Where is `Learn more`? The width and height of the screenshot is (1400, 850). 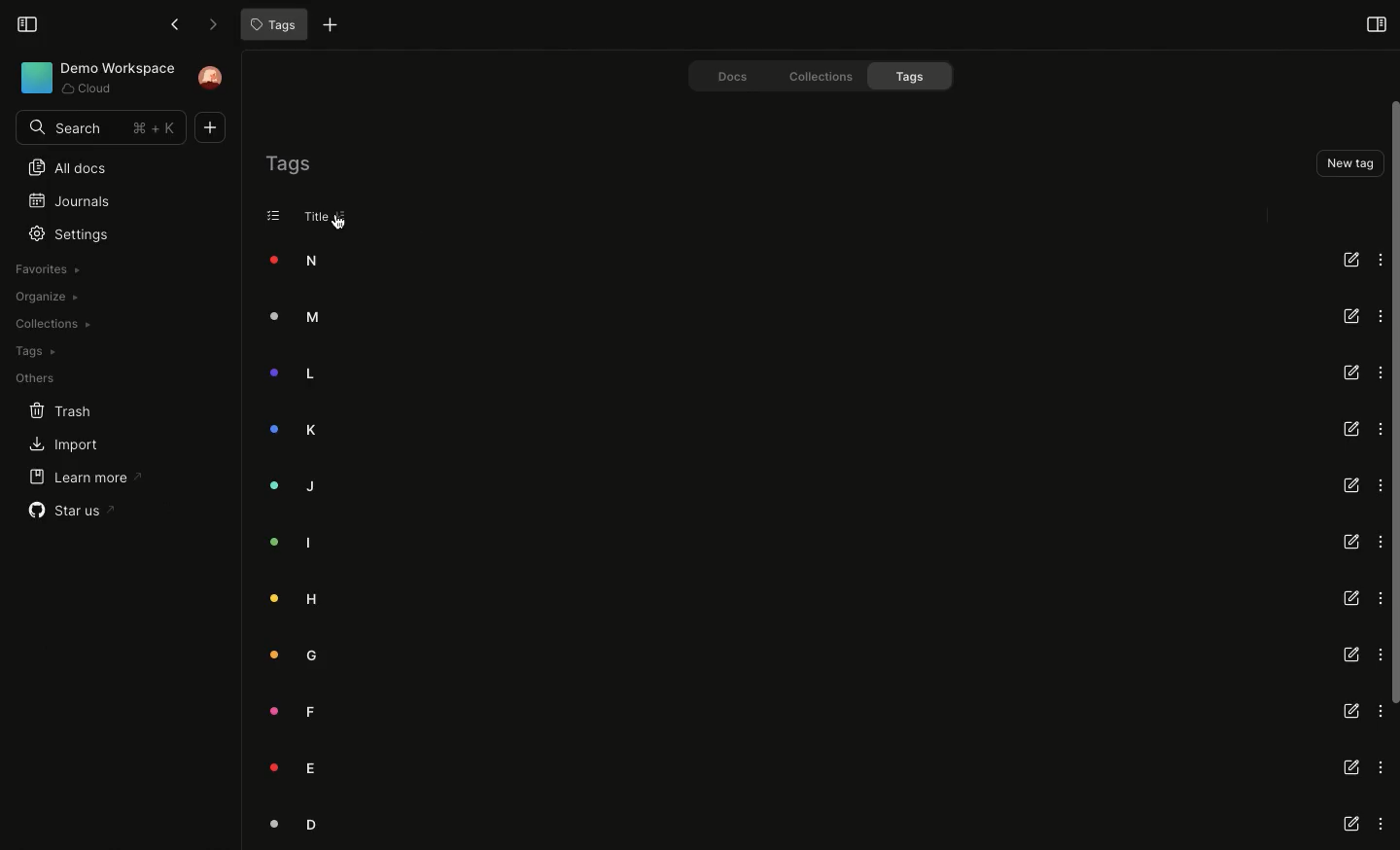 Learn more is located at coordinates (76, 478).